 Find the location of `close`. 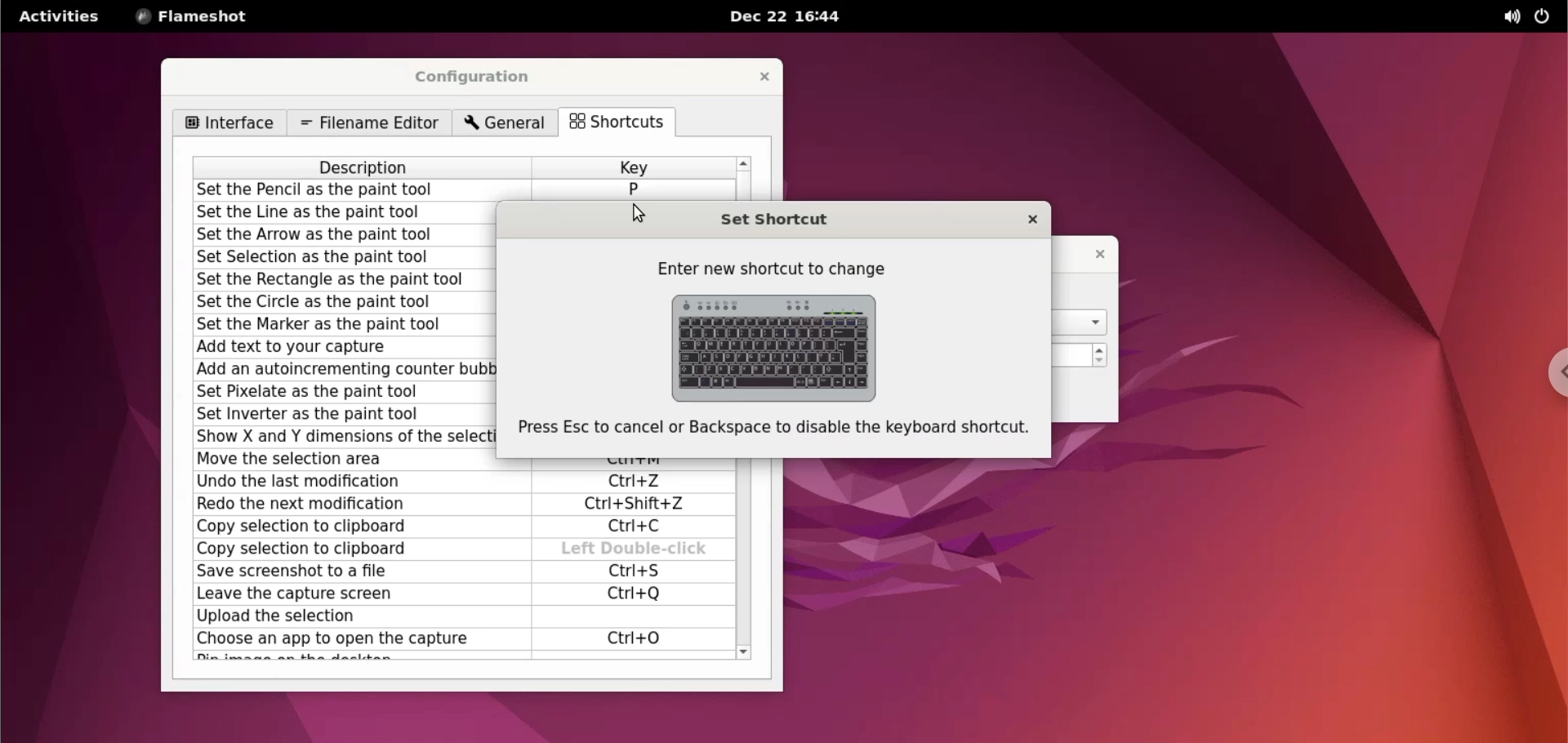

close is located at coordinates (1094, 253).